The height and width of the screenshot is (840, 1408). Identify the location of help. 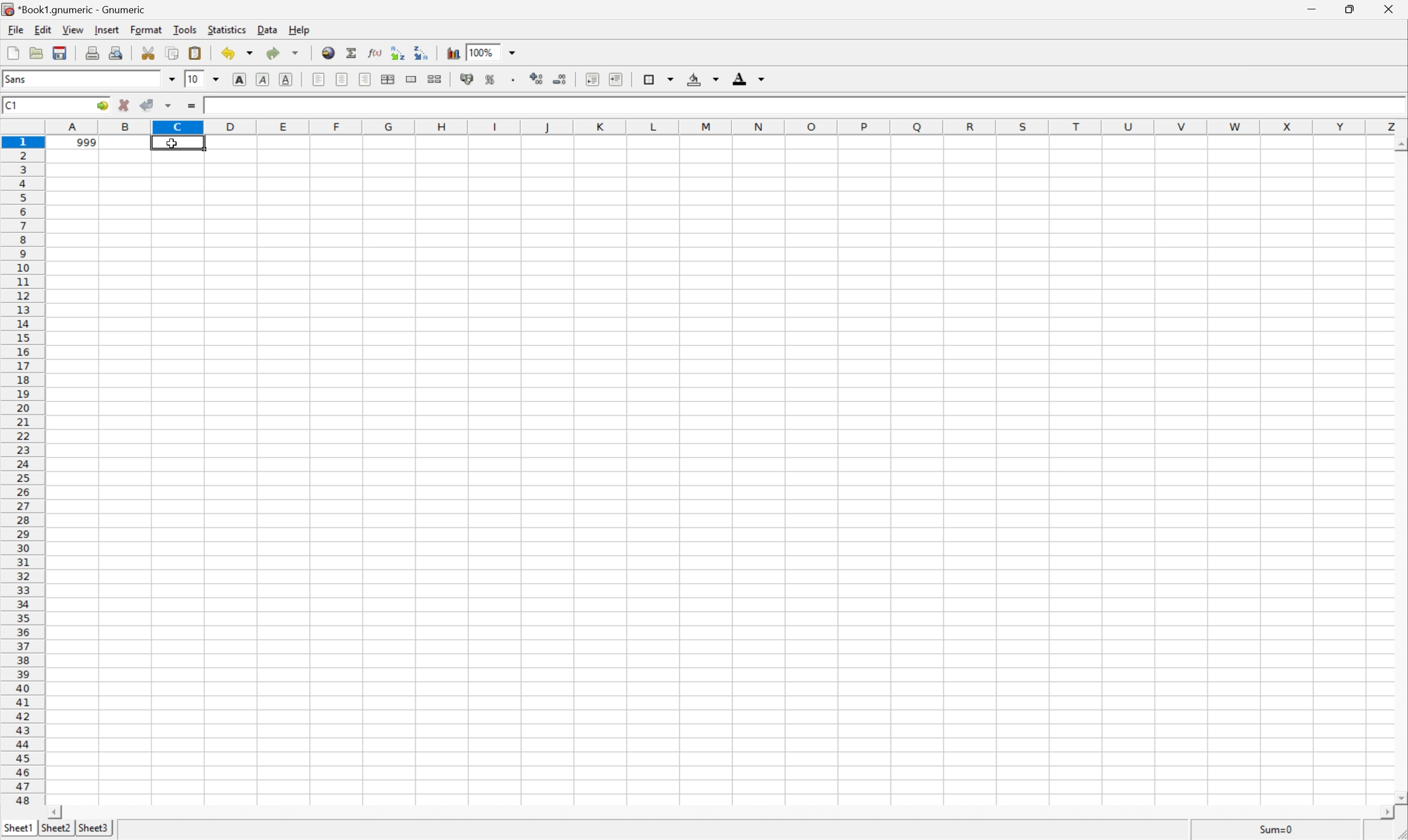
(301, 31).